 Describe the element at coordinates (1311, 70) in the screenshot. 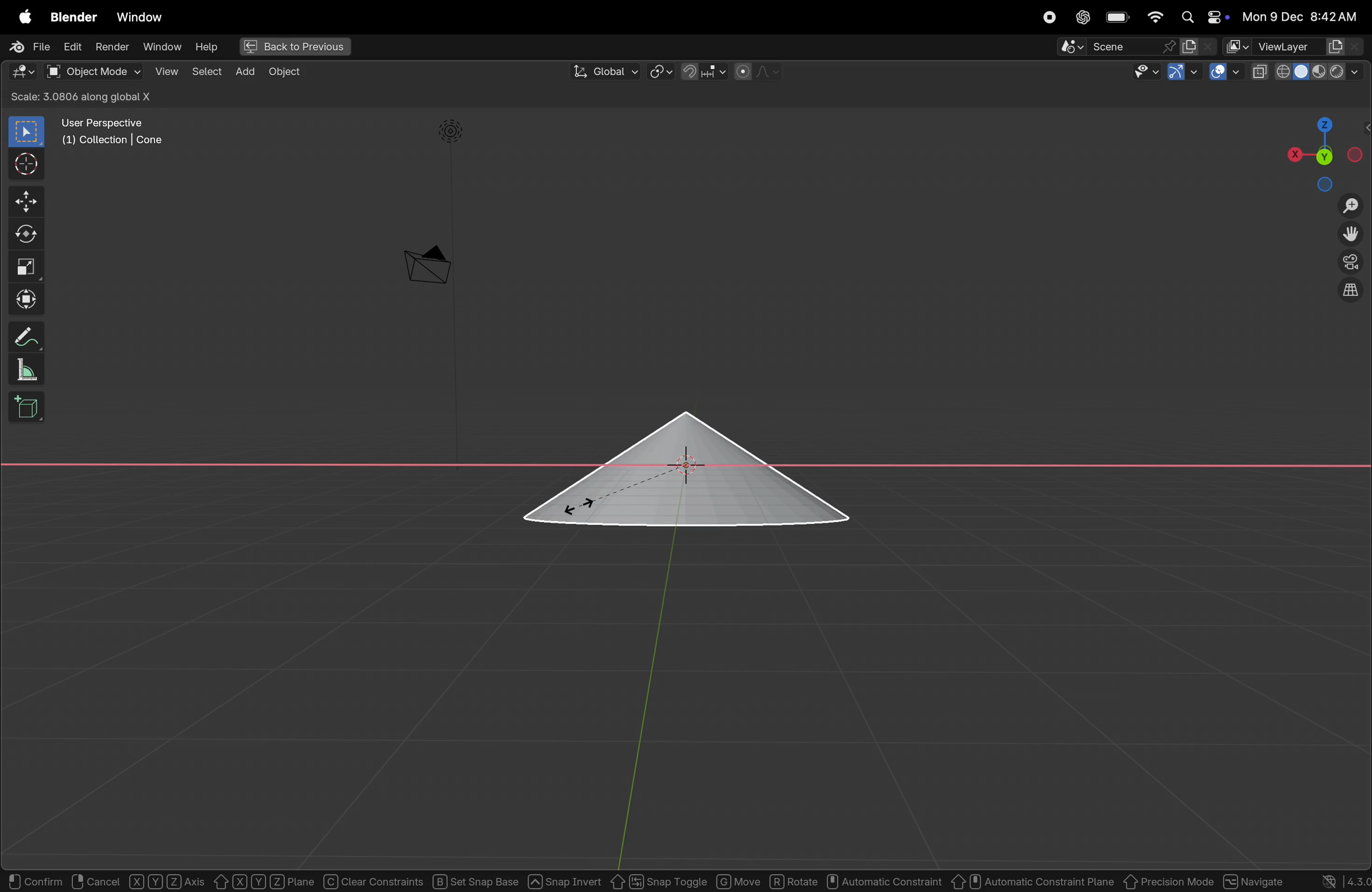

I see `view port shading` at that location.